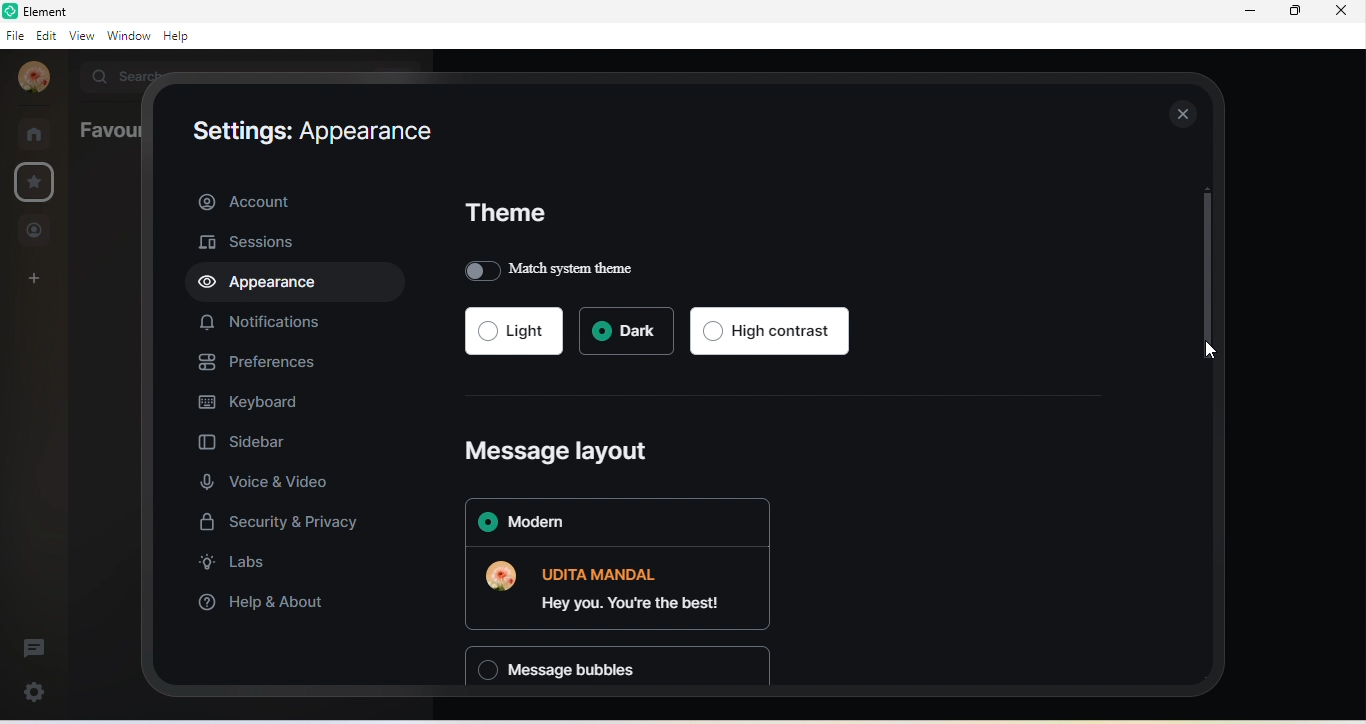  I want to click on quick settings, so click(38, 690).